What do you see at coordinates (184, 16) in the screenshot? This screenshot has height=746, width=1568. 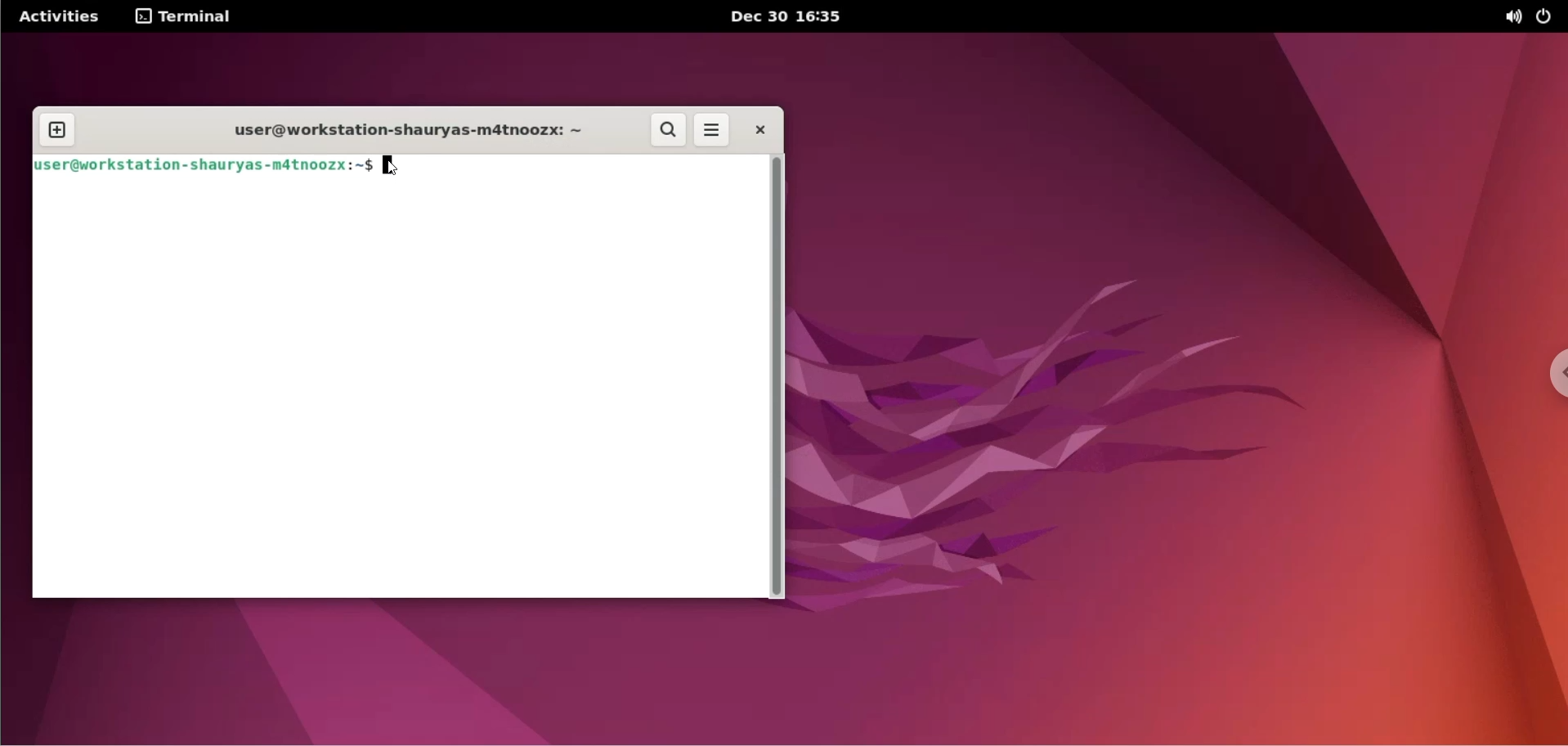 I see `terminal` at bounding box center [184, 16].